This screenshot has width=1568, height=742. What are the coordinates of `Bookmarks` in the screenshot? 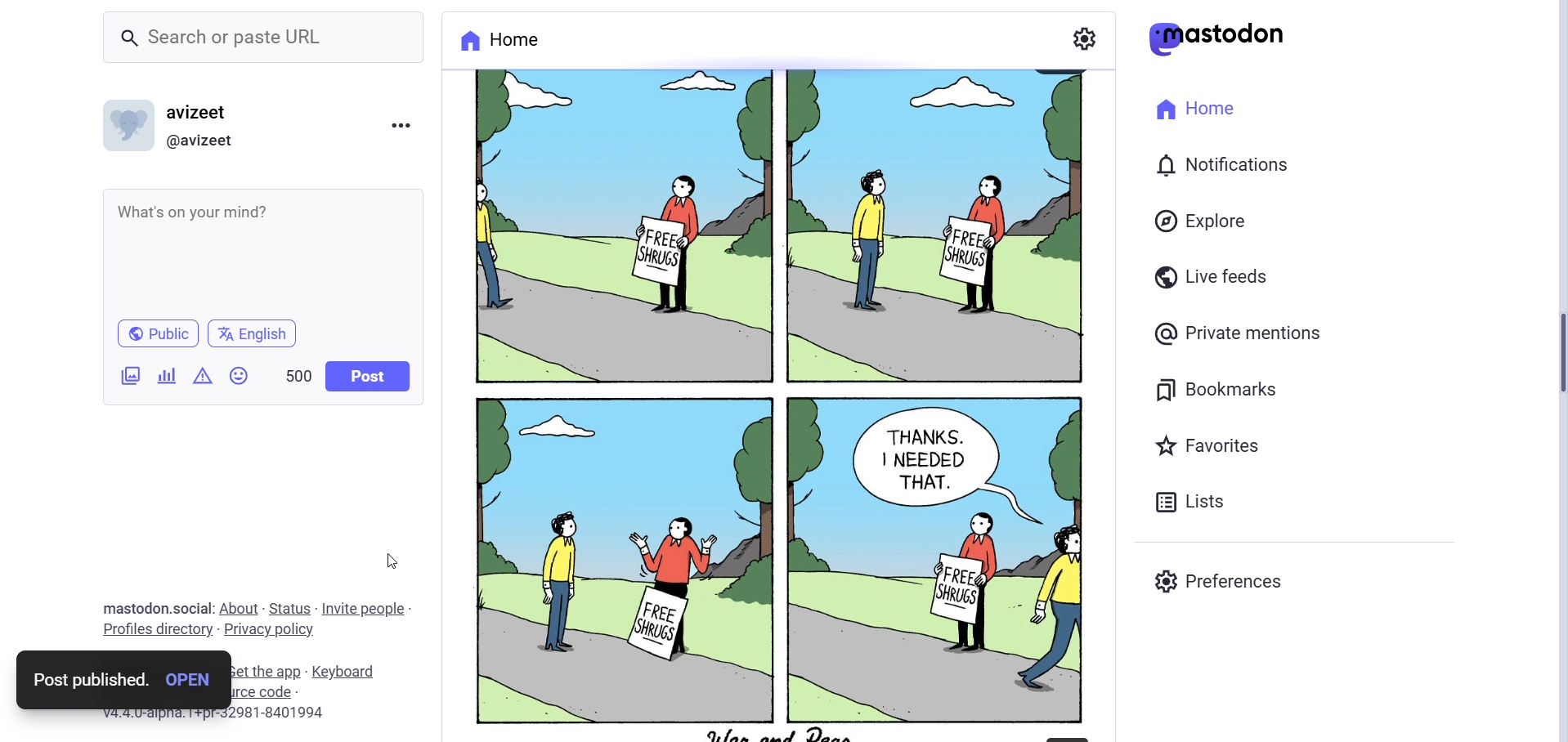 It's located at (1231, 389).